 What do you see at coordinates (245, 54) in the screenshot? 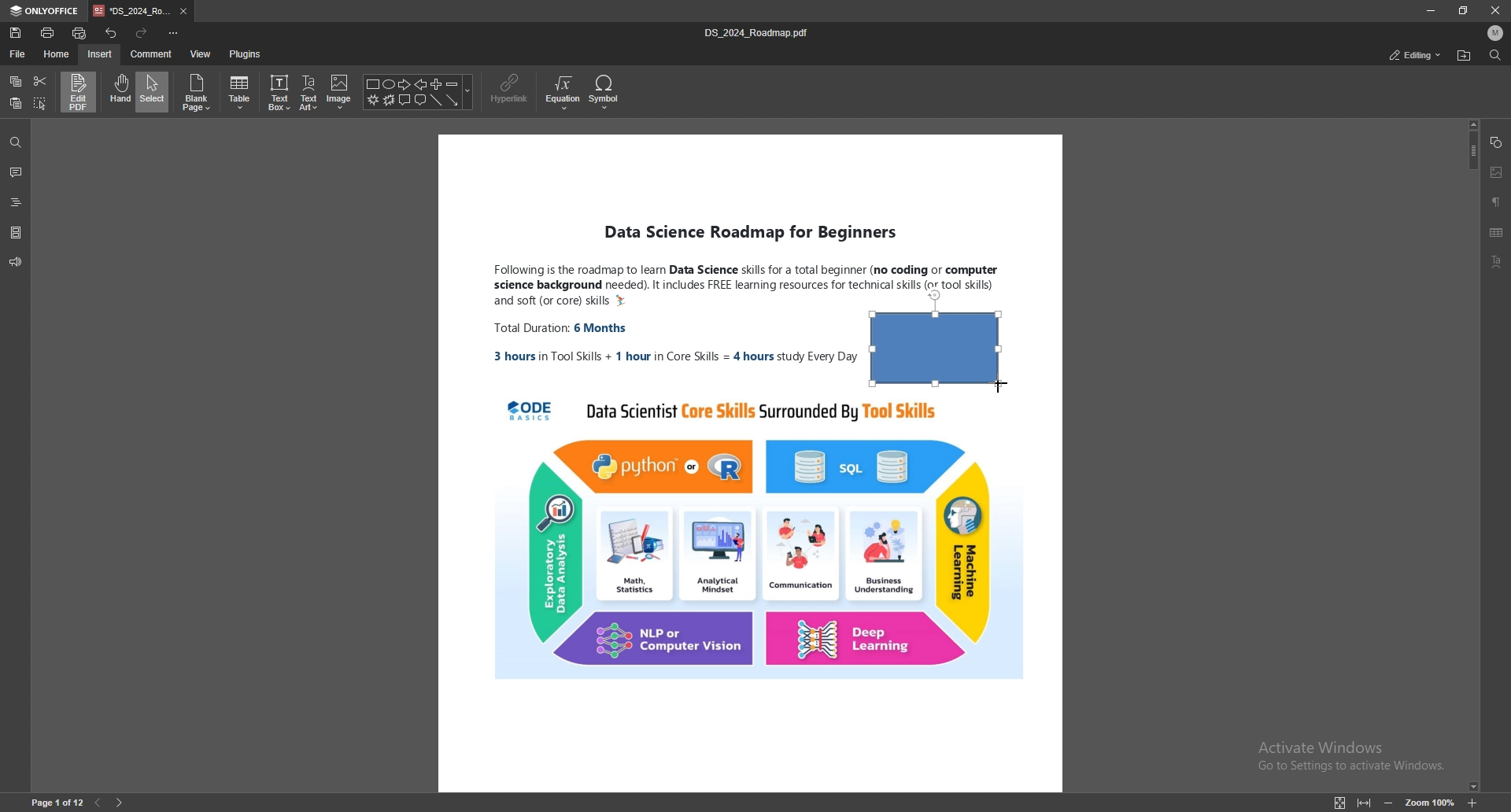
I see `plugins` at bounding box center [245, 54].